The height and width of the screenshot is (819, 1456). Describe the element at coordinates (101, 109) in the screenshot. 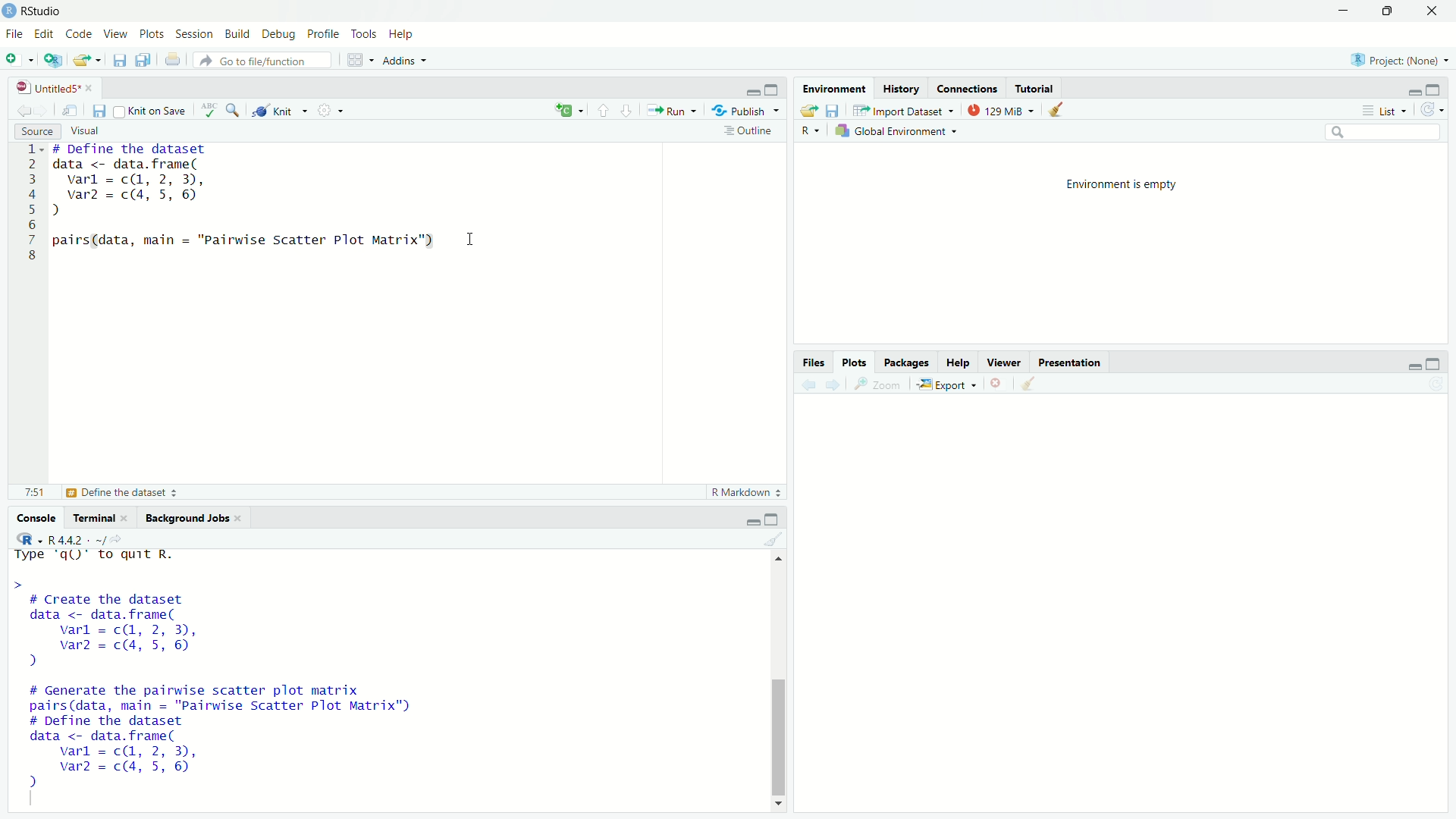

I see `Save current document (Ctrl + S)` at that location.